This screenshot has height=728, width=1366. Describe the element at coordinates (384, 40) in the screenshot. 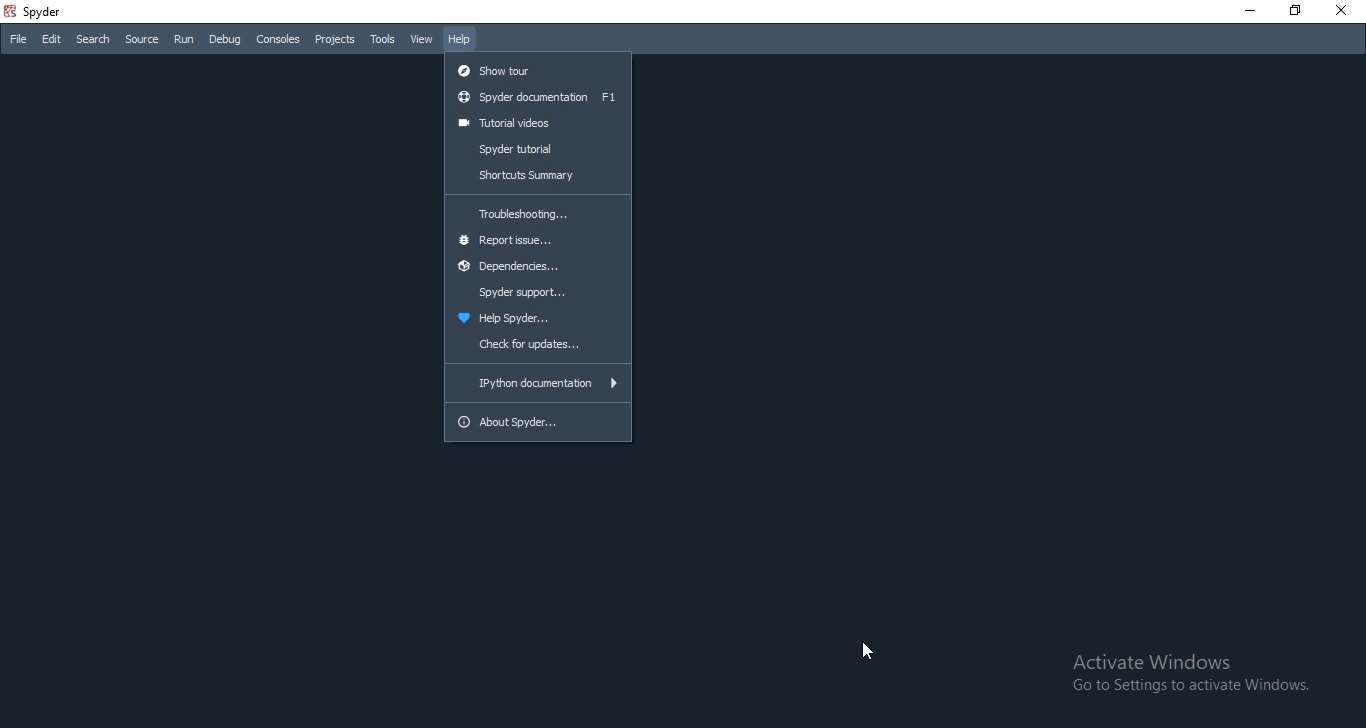

I see `Tools` at that location.